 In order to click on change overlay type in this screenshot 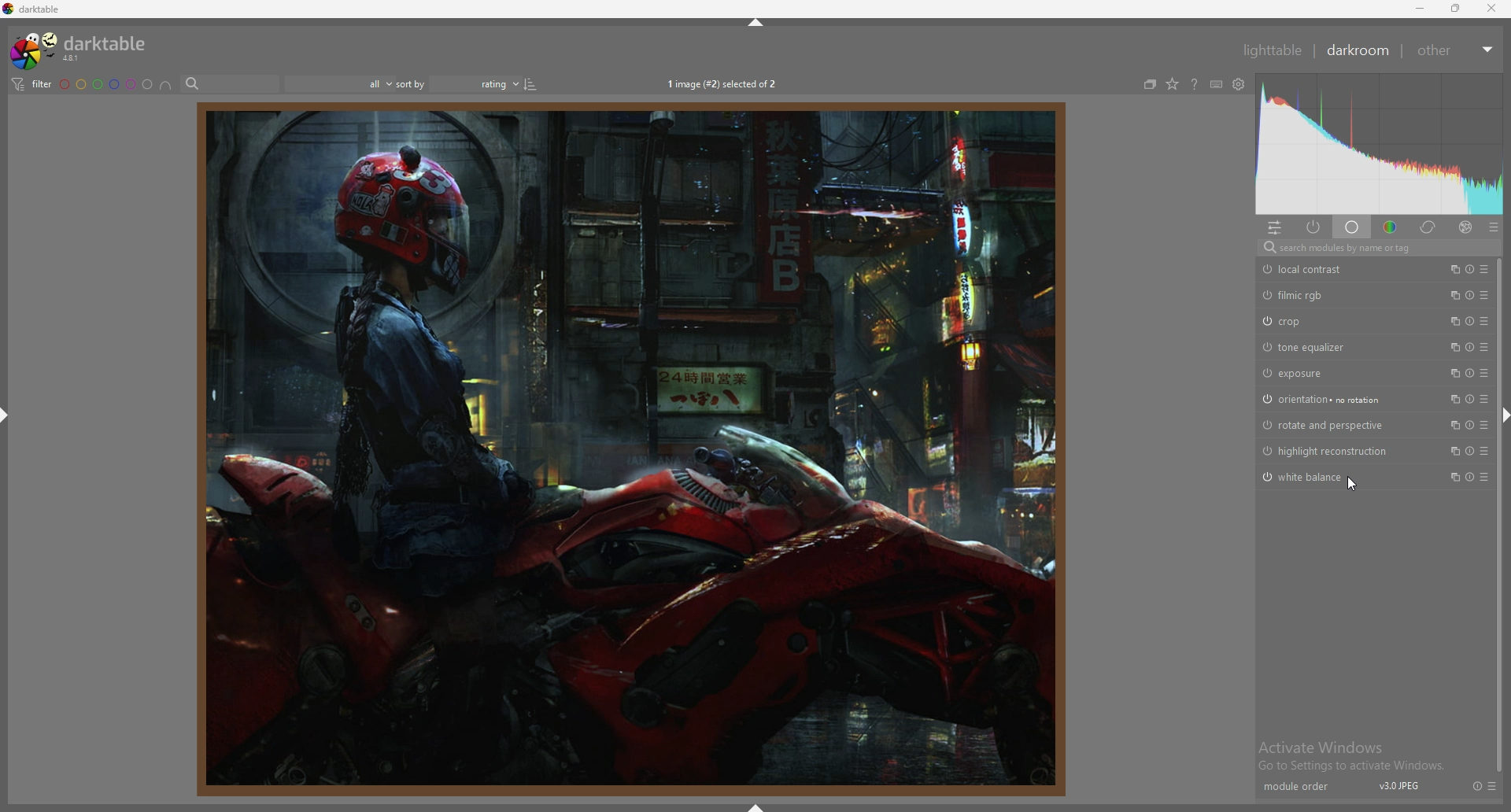, I will do `click(1172, 85)`.